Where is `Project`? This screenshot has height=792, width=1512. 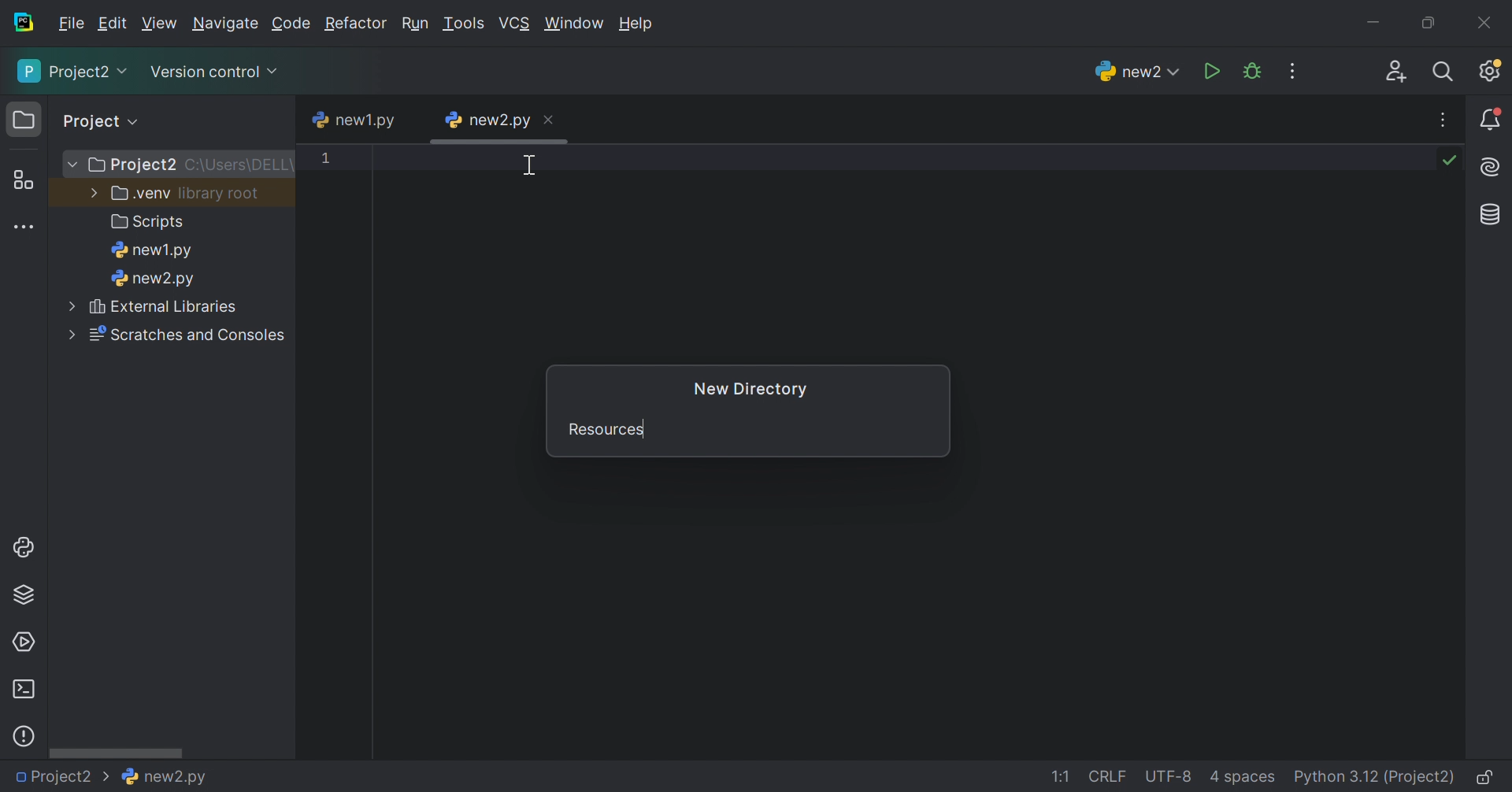
Project is located at coordinates (102, 119).